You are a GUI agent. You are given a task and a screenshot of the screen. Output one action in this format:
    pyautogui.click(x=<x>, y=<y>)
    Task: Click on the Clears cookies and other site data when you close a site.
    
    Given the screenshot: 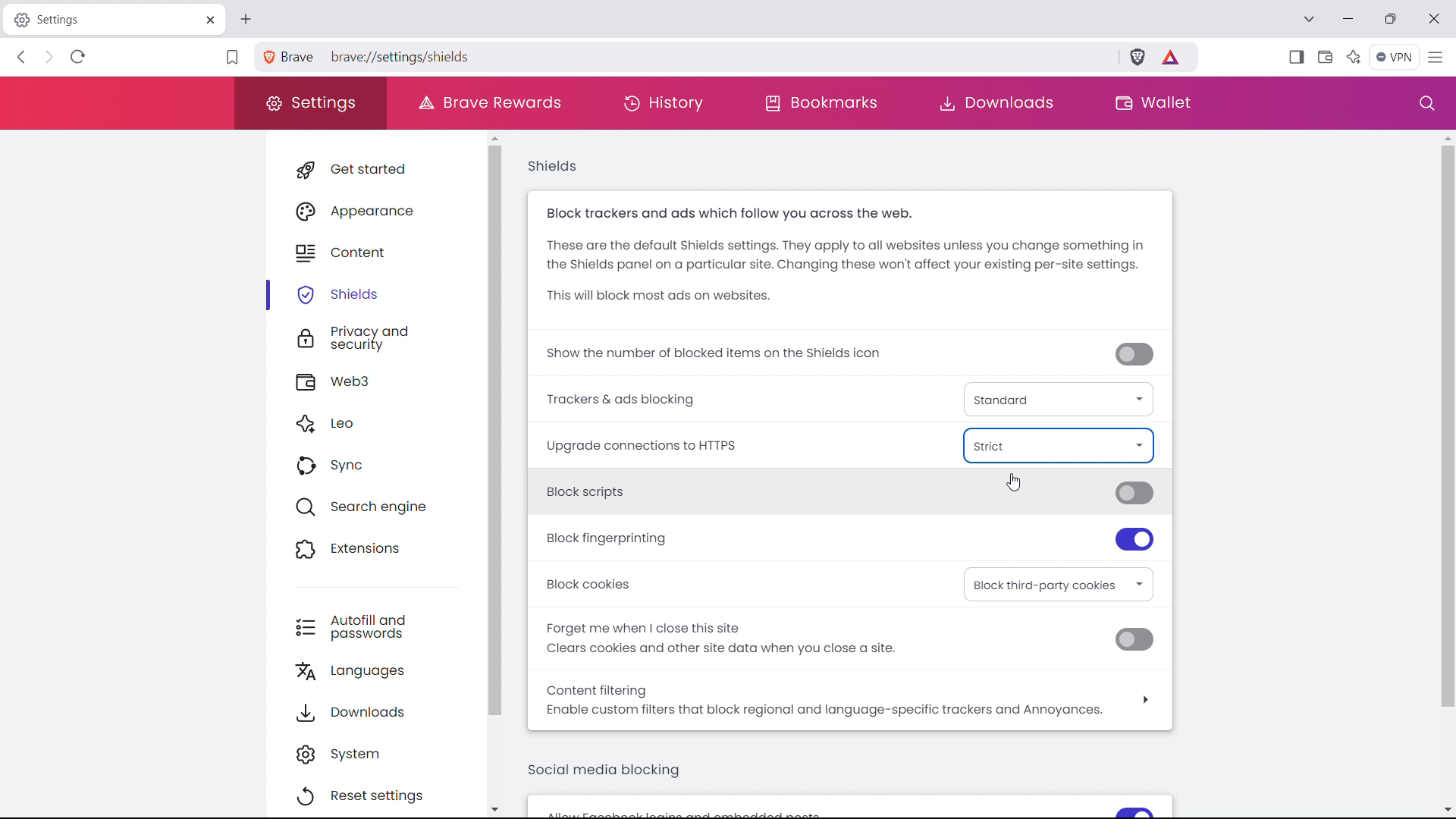 What is the action you would take?
    pyautogui.click(x=730, y=649)
    